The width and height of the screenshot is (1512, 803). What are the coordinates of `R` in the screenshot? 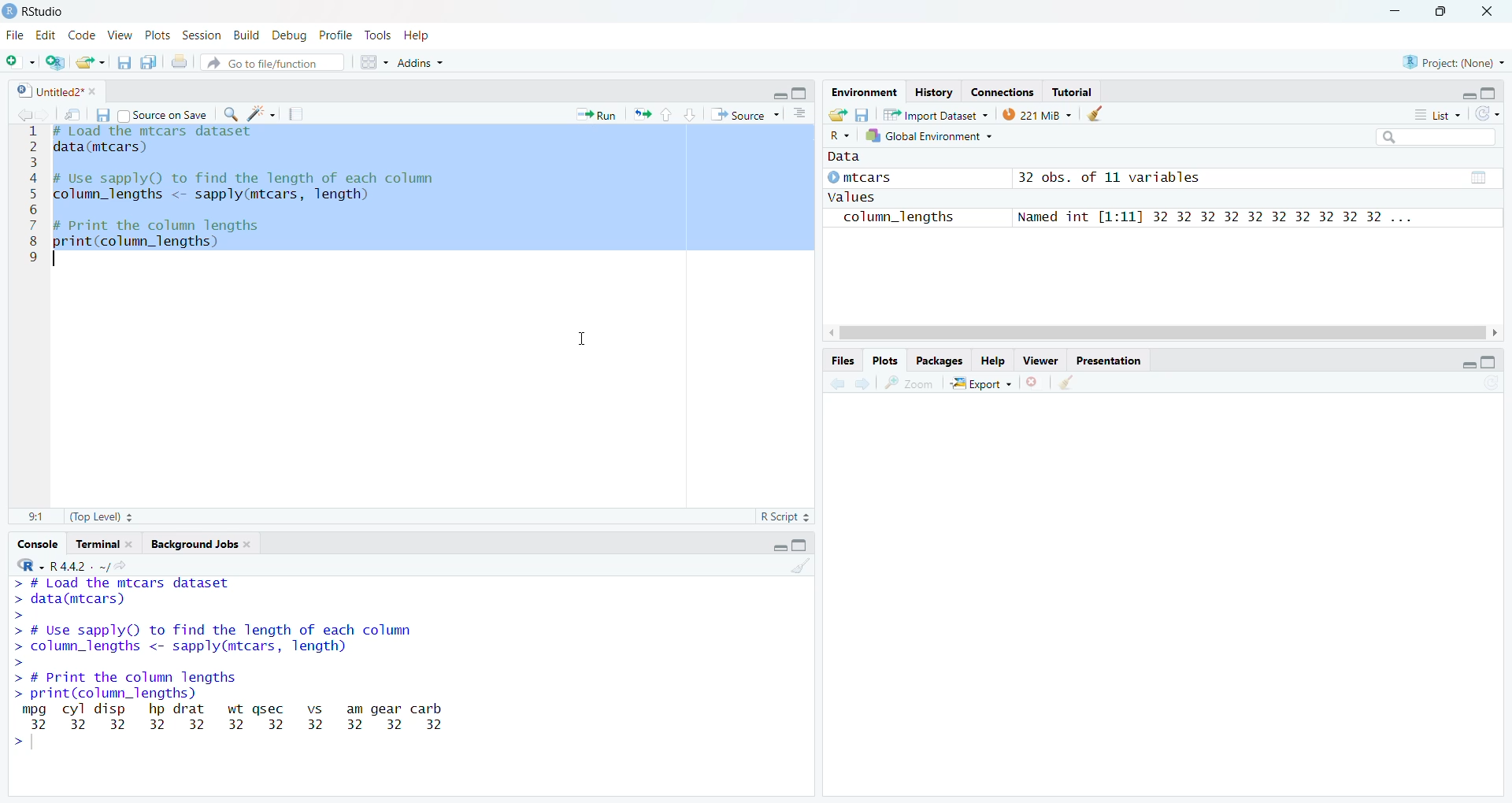 It's located at (839, 135).